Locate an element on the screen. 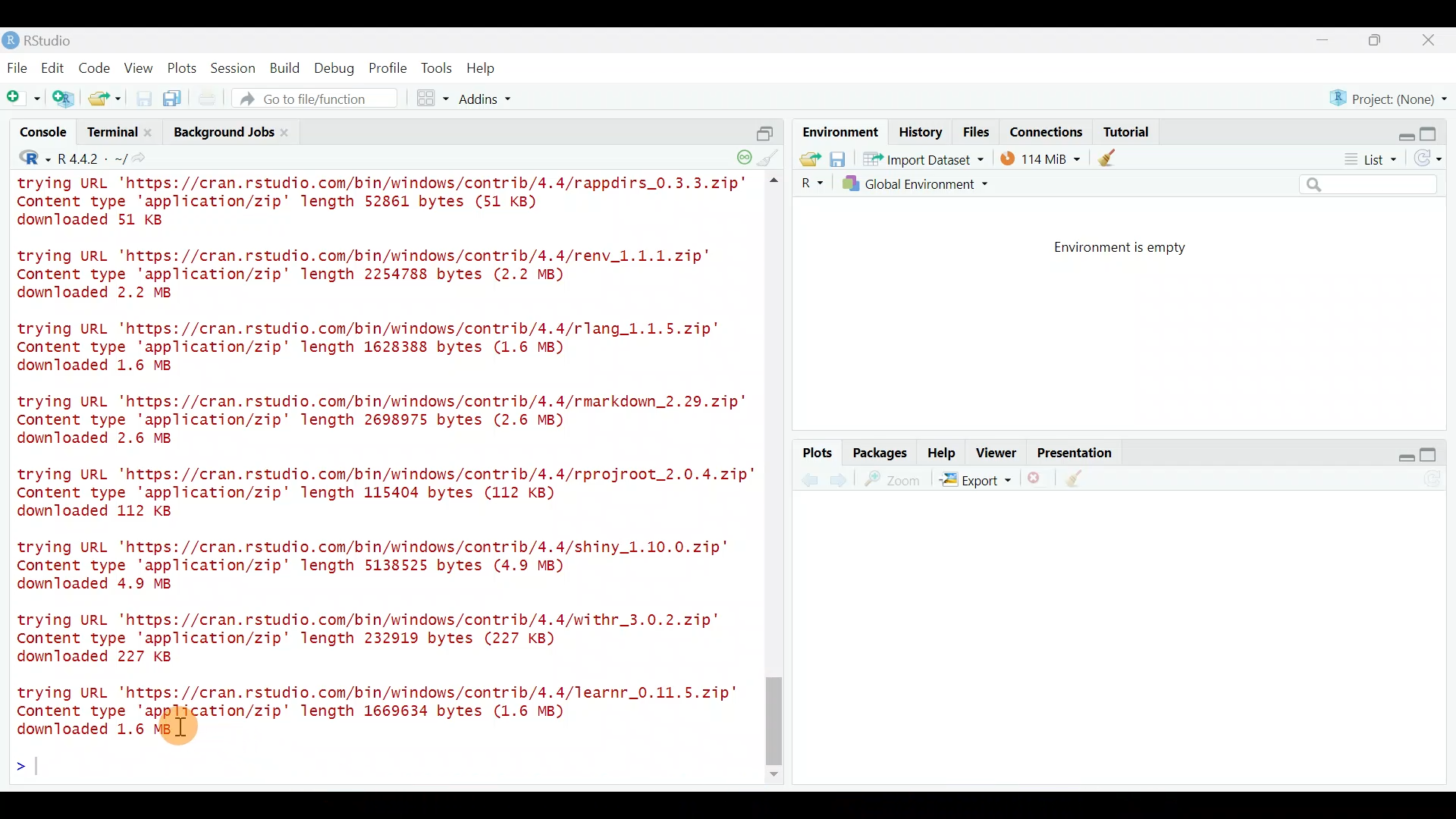 The height and width of the screenshot is (819, 1456). split is located at coordinates (764, 127).